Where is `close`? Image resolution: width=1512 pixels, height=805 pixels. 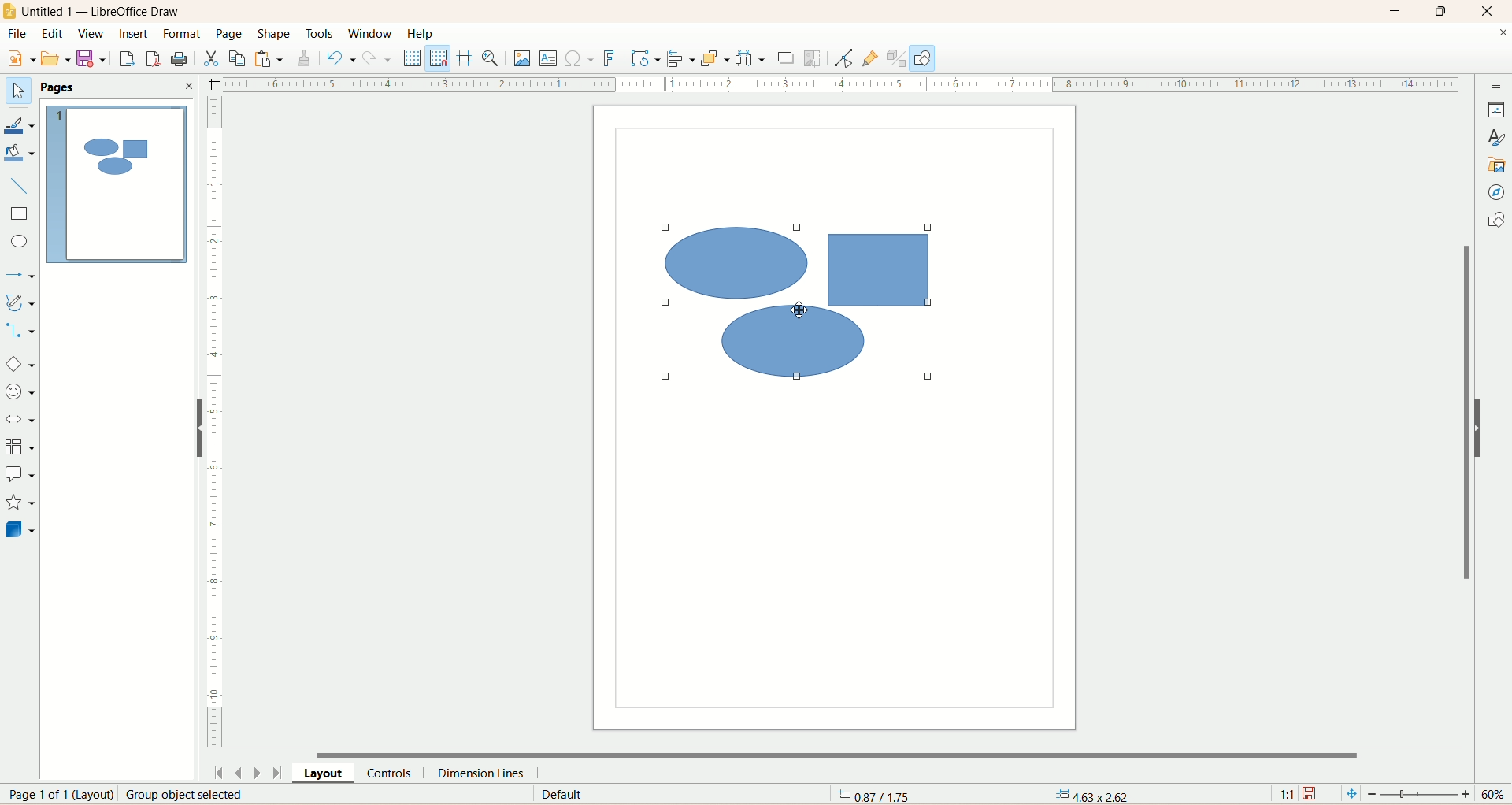 close is located at coordinates (188, 86).